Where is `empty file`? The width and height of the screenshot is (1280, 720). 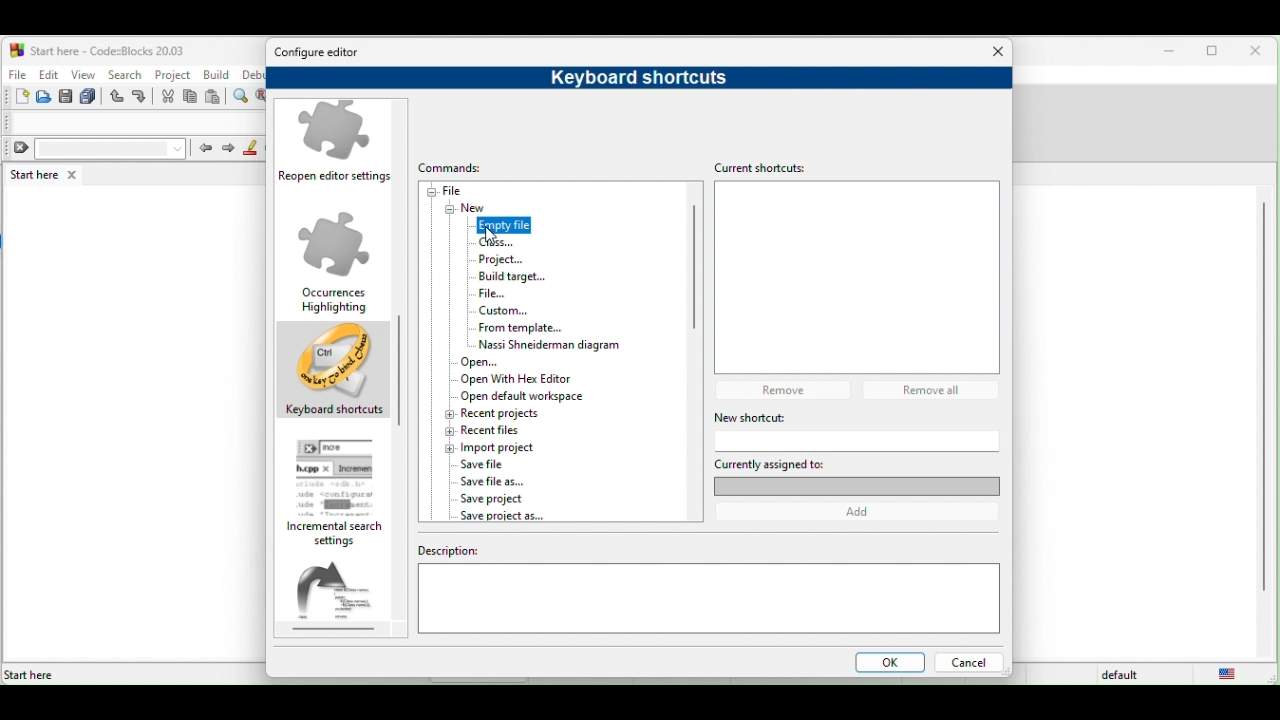 empty file is located at coordinates (501, 224).